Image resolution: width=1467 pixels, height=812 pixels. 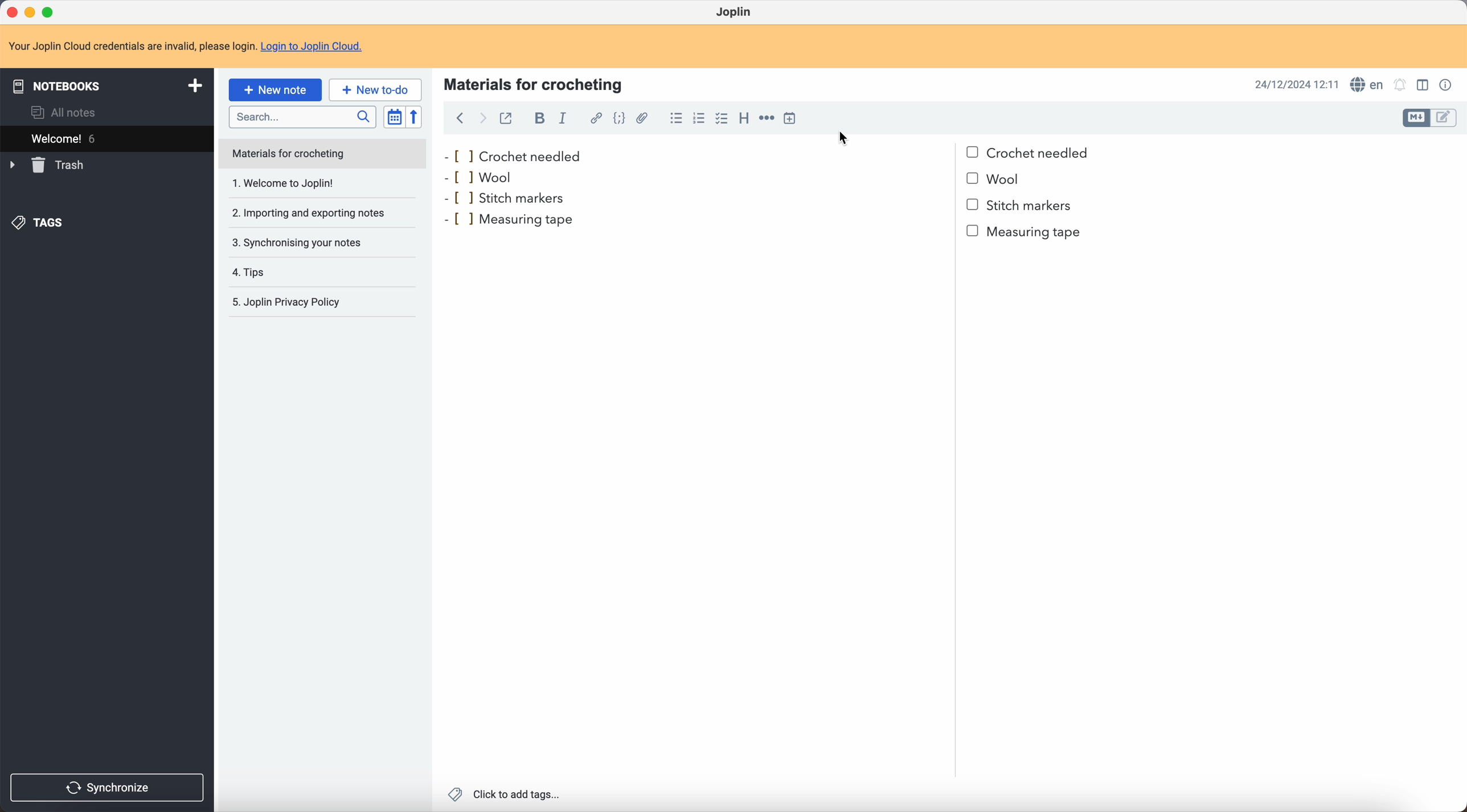 I want to click on note, so click(x=186, y=46).